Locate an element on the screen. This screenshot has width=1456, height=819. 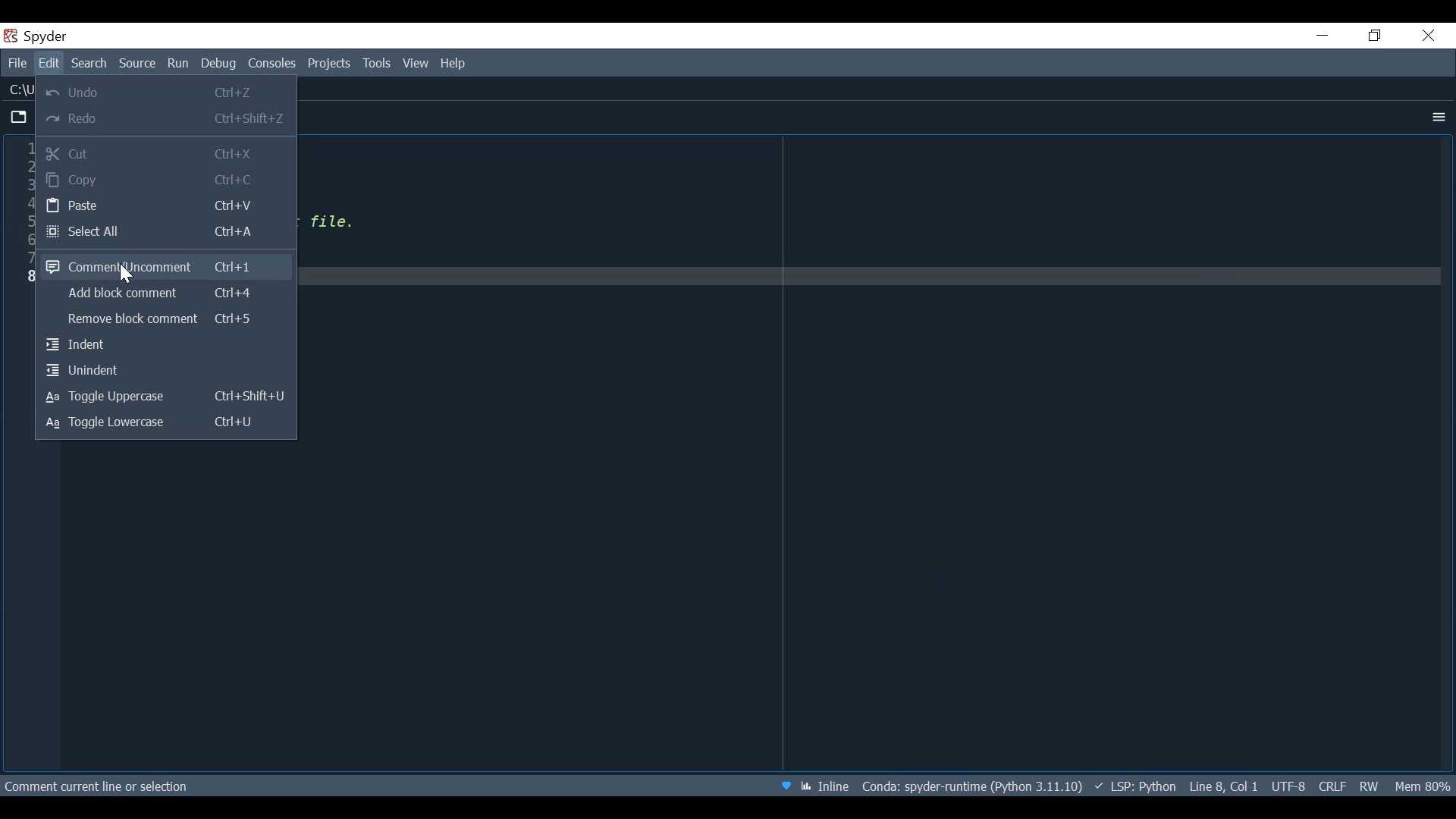
File EQL Status is located at coordinates (1332, 786).